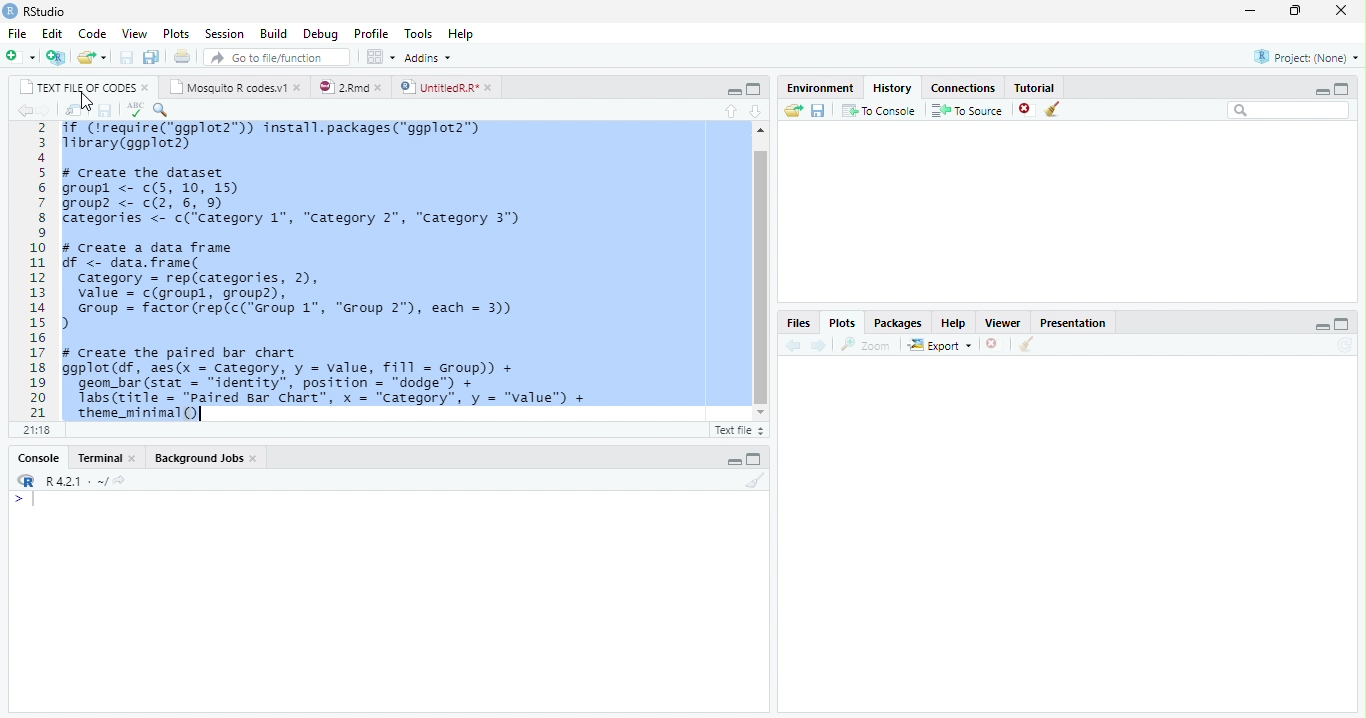 The width and height of the screenshot is (1366, 718). What do you see at coordinates (23, 499) in the screenshot?
I see `typing` at bounding box center [23, 499].